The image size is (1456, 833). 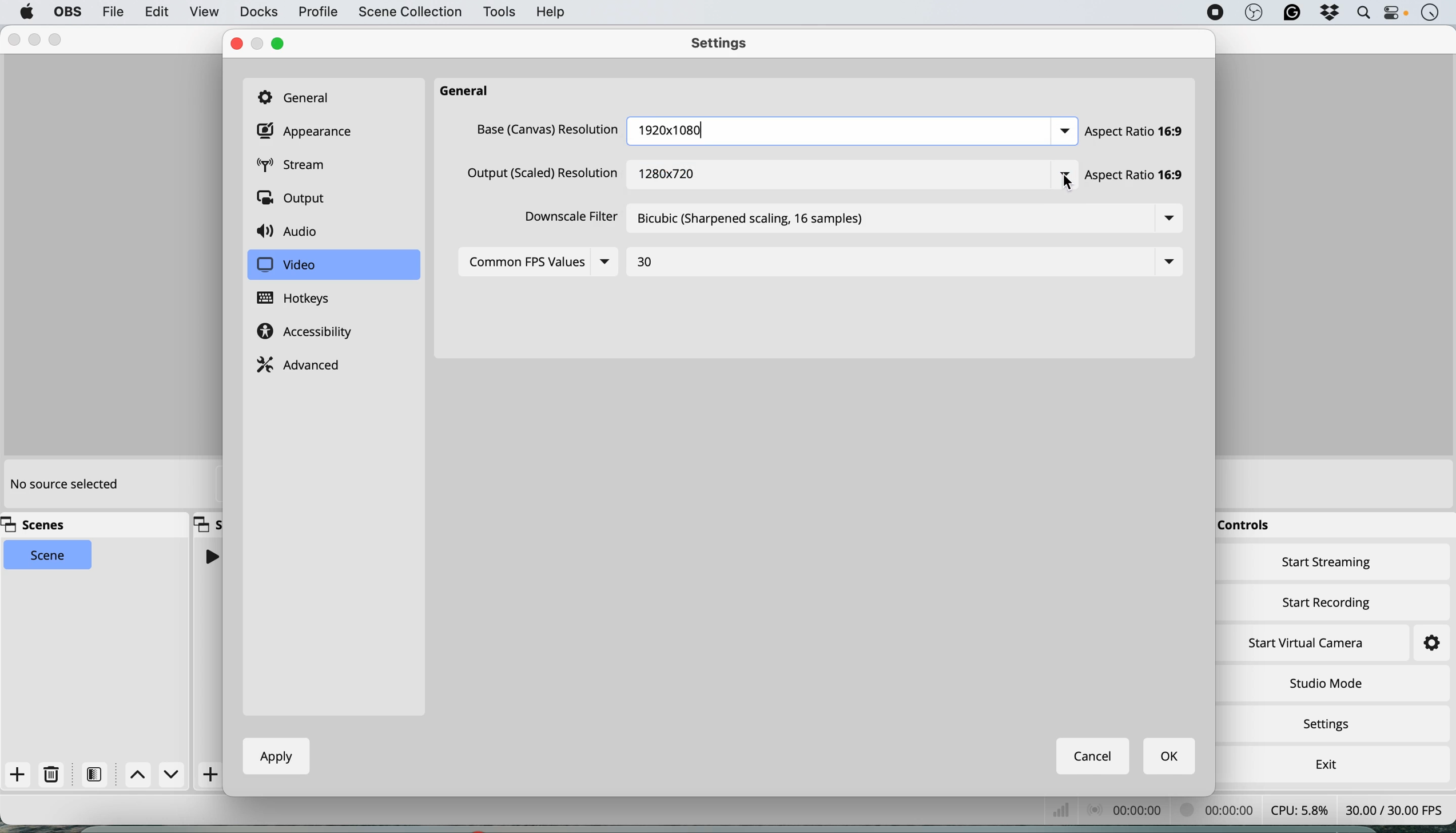 What do you see at coordinates (66, 12) in the screenshot?
I see `obs` at bounding box center [66, 12].